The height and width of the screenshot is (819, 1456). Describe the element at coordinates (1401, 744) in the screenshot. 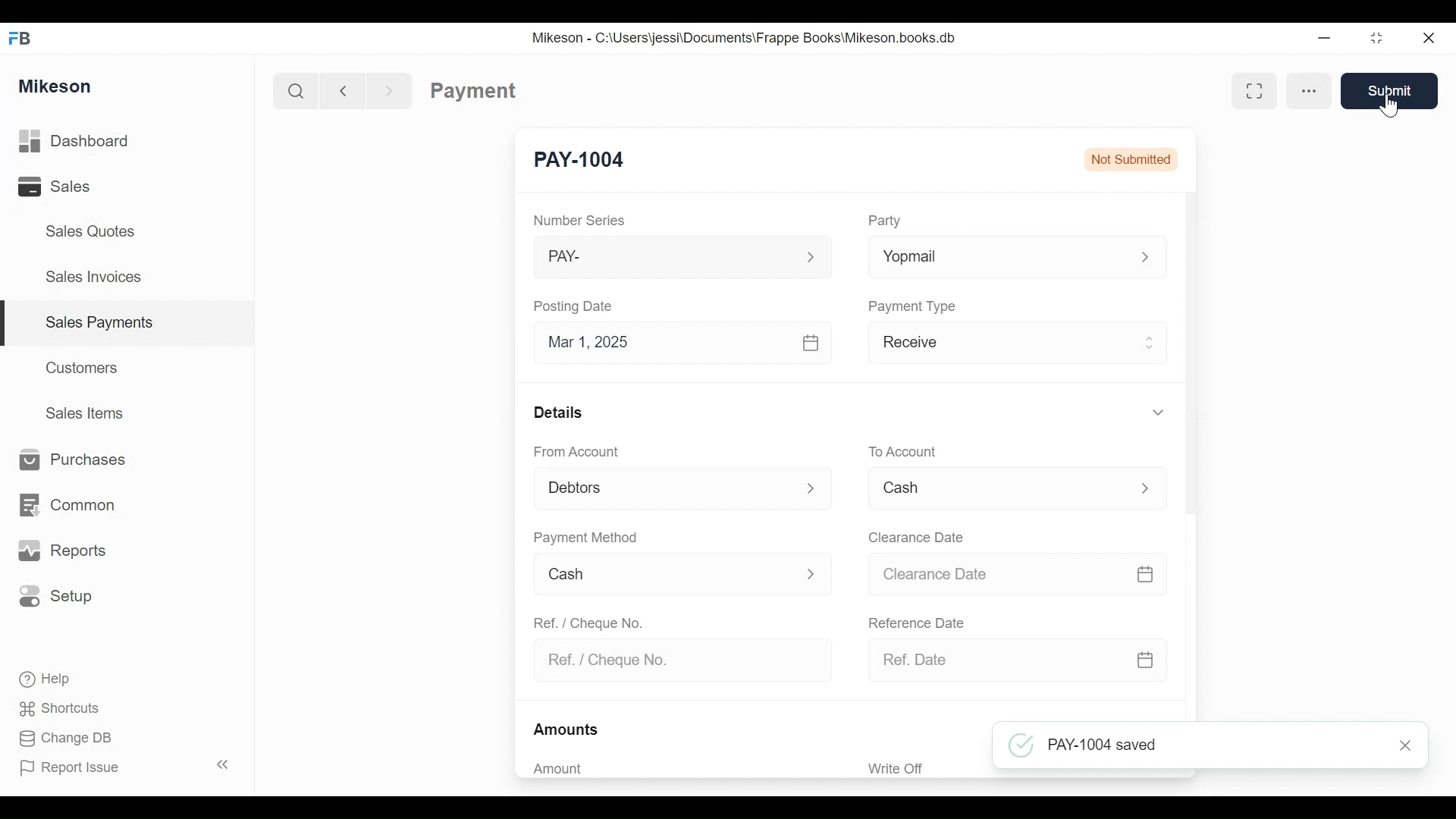

I see `Close` at that location.